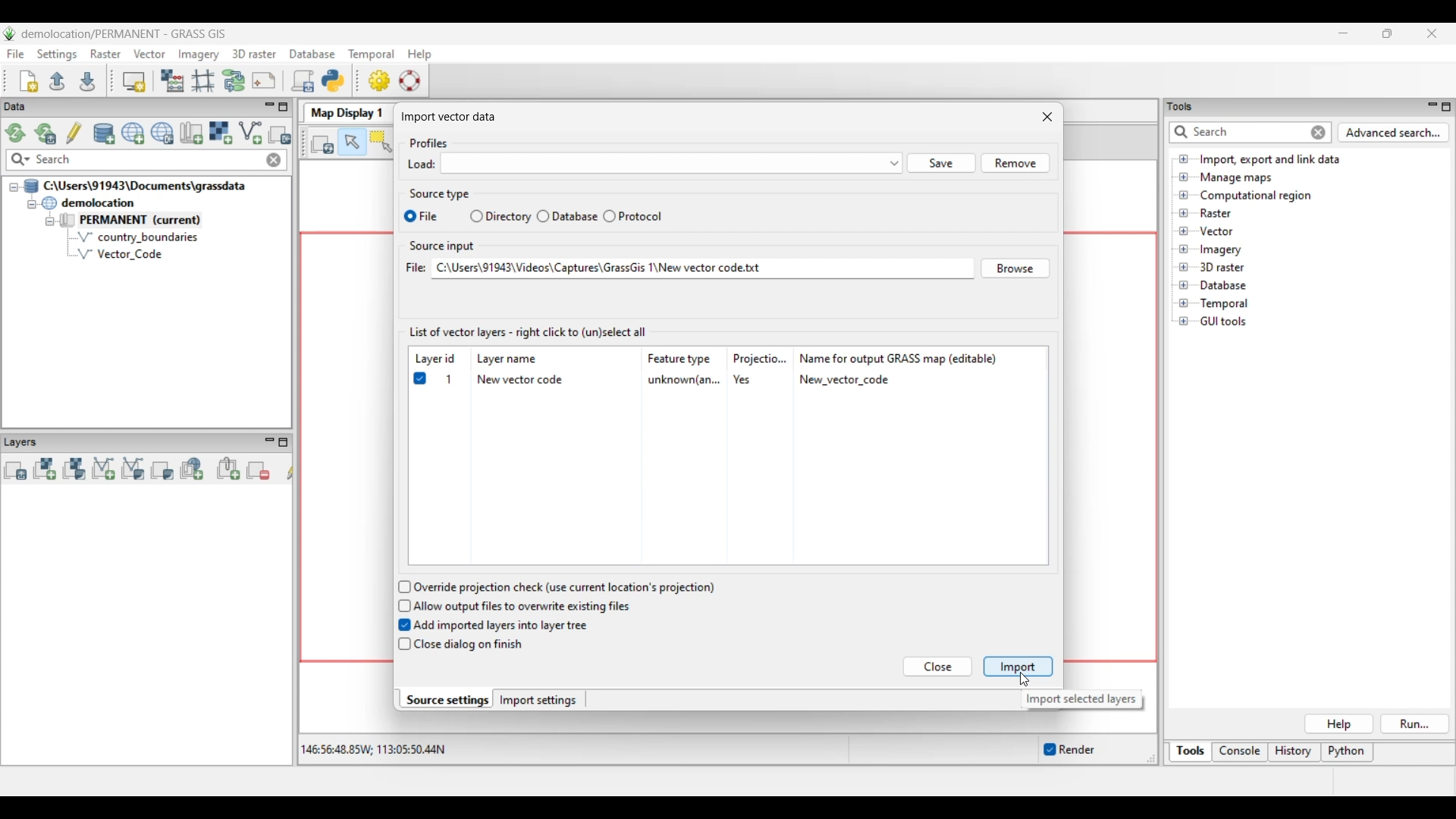 The width and height of the screenshot is (1456, 819). I want to click on Add web service layer, so click(192, 469).